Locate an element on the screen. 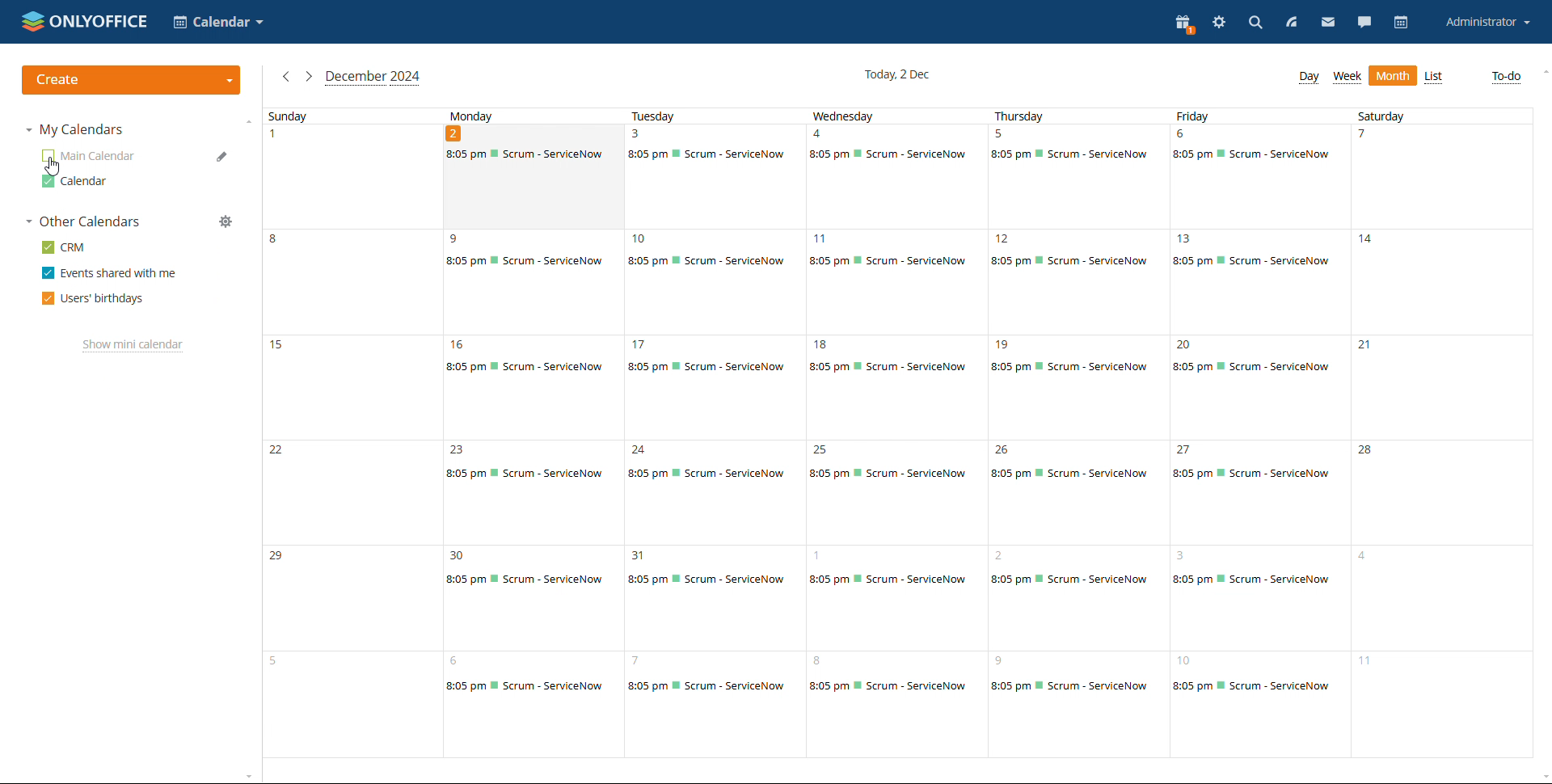 Image resolution: width=1552 pixels, height=784 pixels. chat is located at coordinates (1364, 23).